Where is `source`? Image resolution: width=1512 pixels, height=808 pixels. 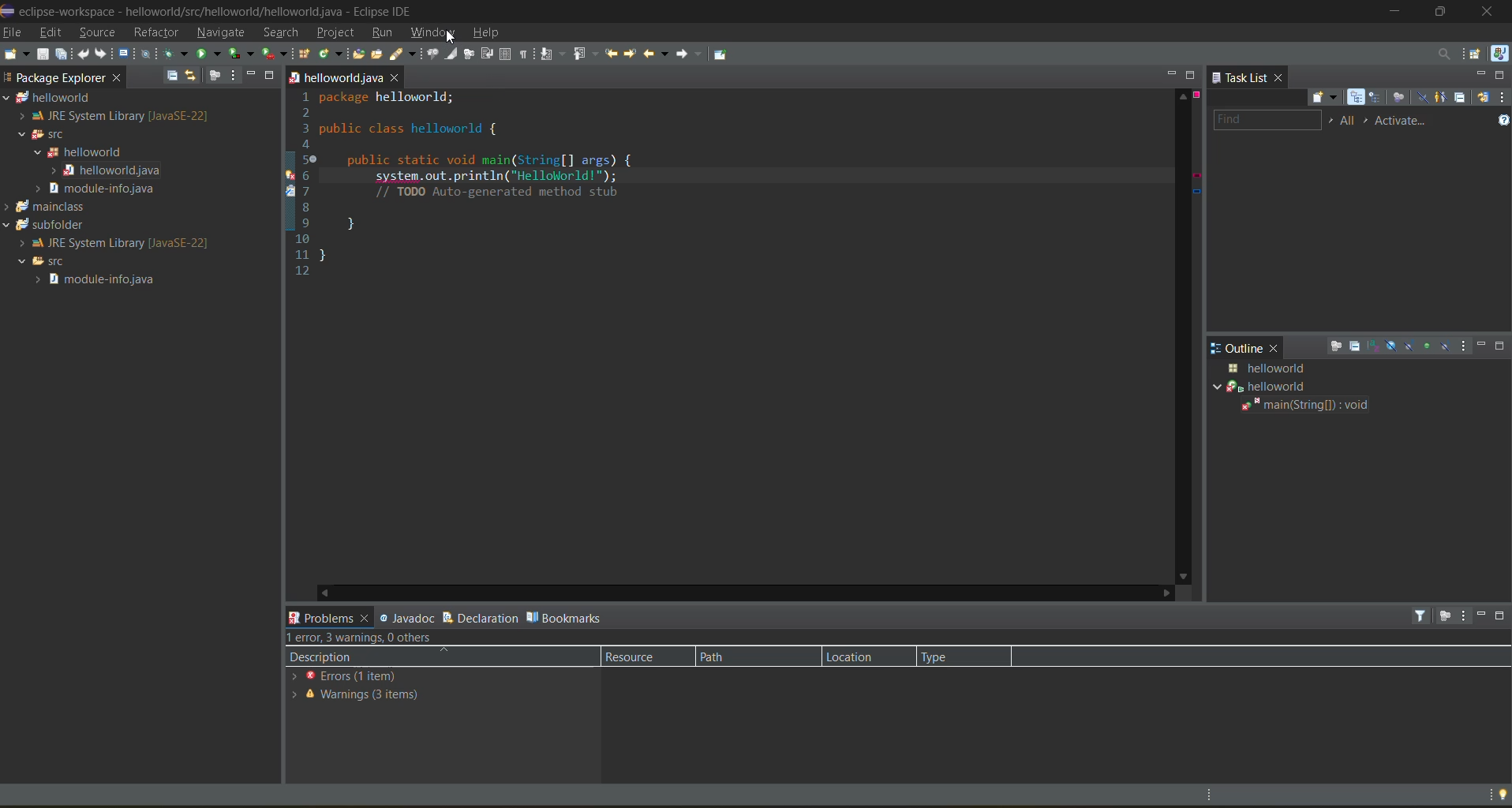 source is located at coordinates (99, 34).